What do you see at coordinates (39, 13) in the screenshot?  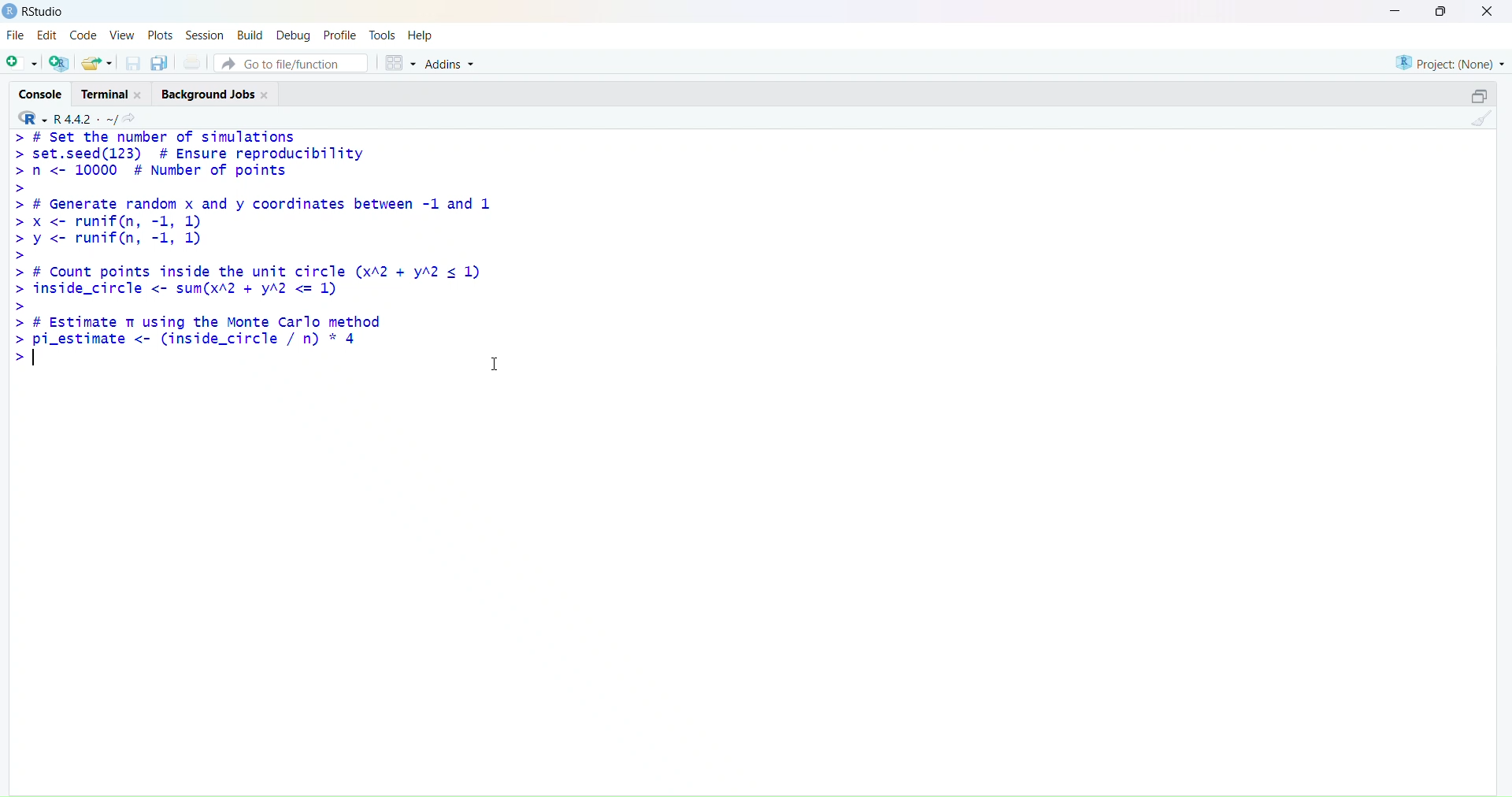 I see `RStudio` at bounding box center [39, 13].